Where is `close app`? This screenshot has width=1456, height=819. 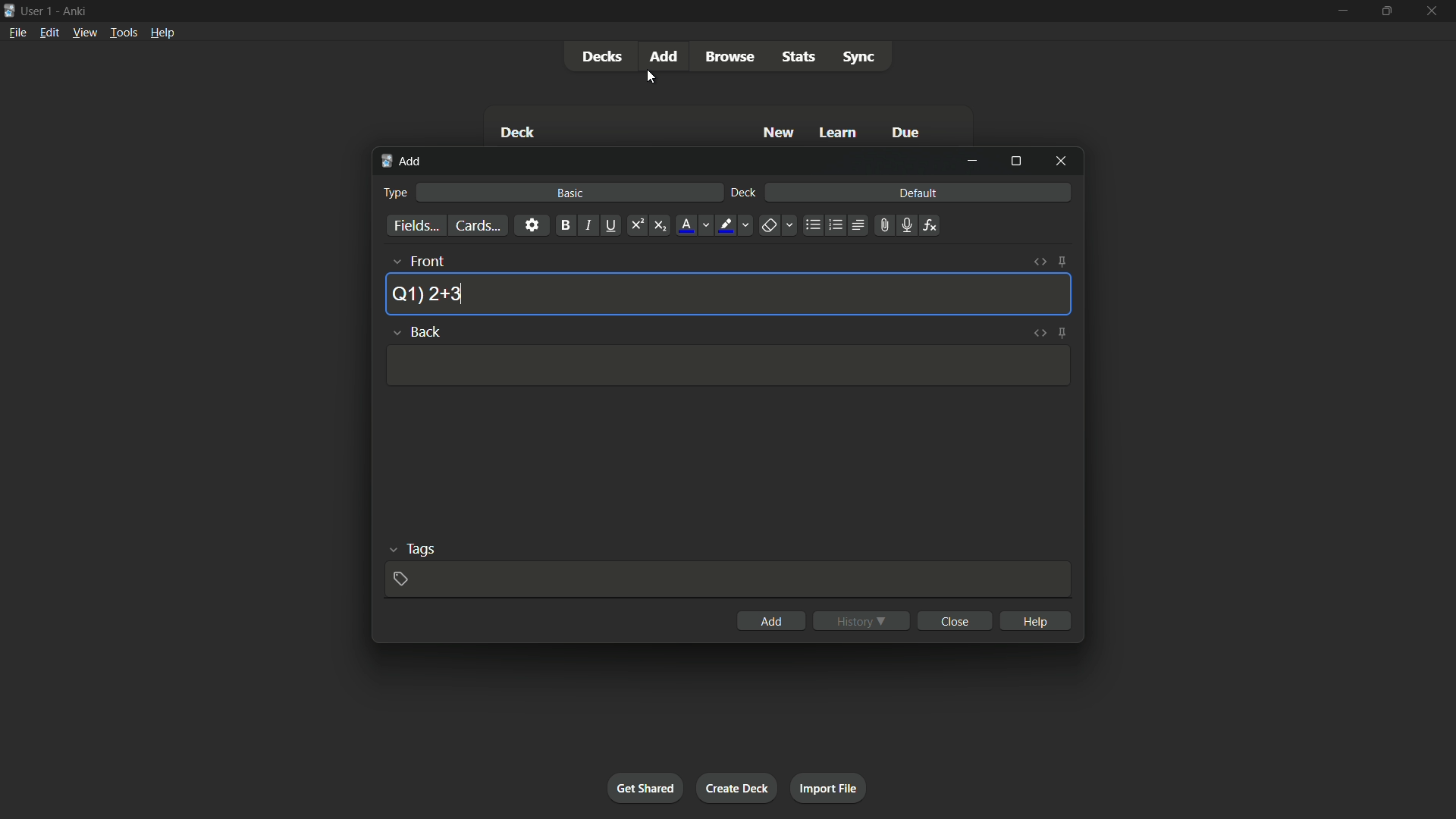
close app is located at coordinates (1433, 11).